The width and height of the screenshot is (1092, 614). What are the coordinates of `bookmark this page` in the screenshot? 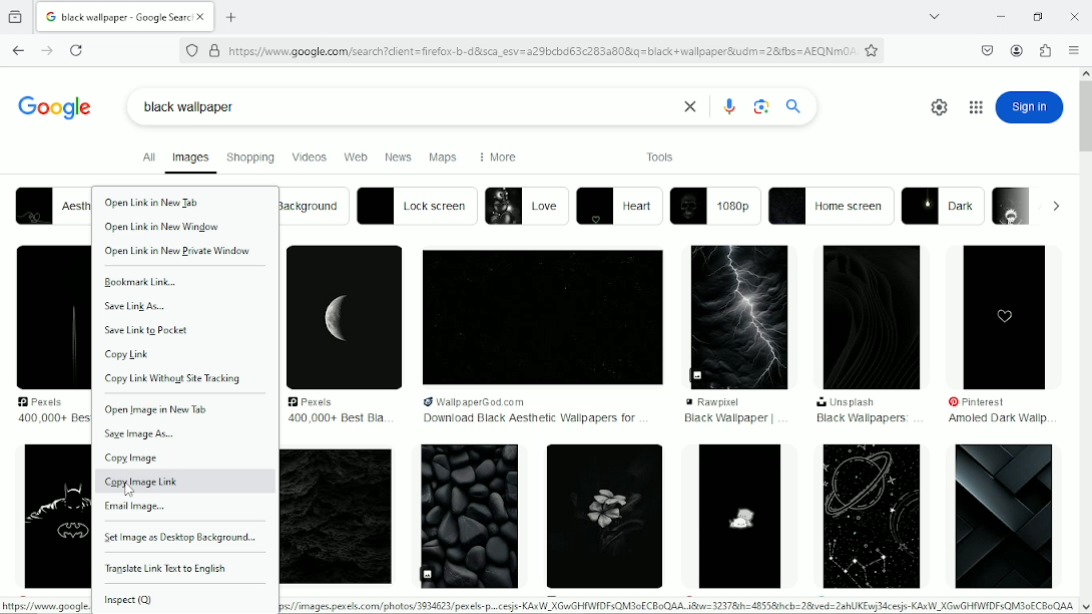 It's located at (871, 50).